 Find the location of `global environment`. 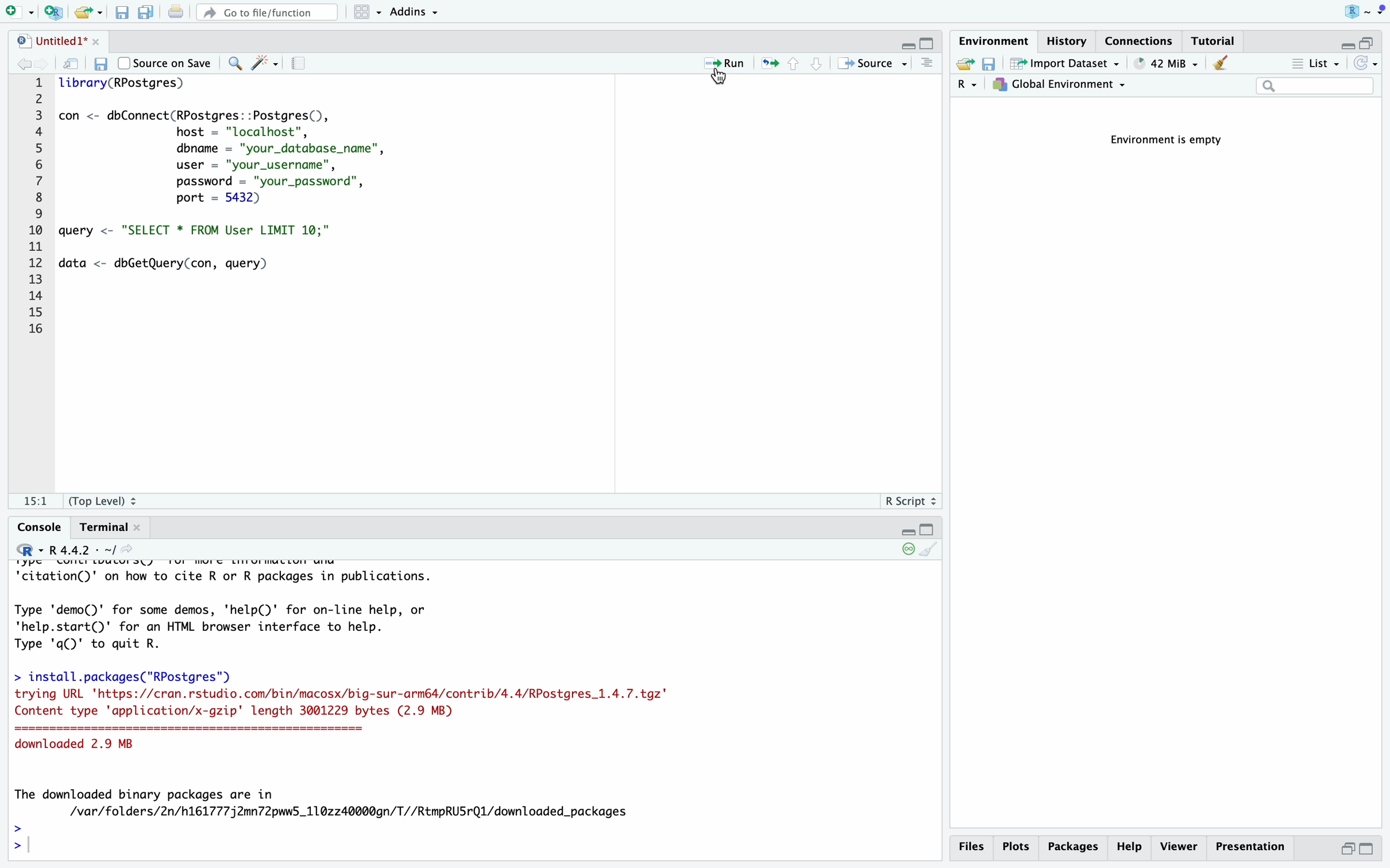

global environment is located at coordinates (1062, 87).